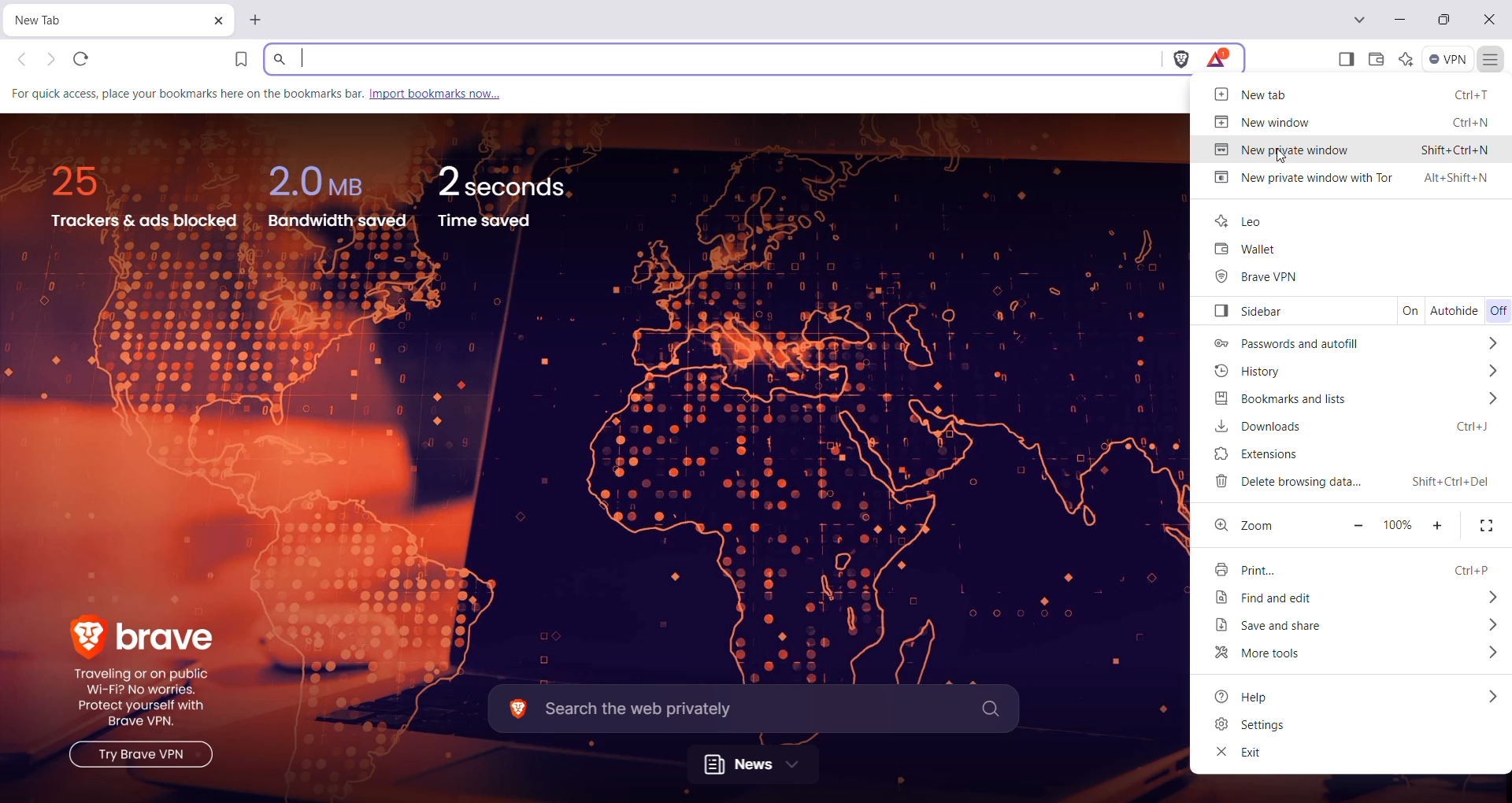 The width and height of the screenshot is (1512, 803). I want to click on More options, so click(1493, 696).